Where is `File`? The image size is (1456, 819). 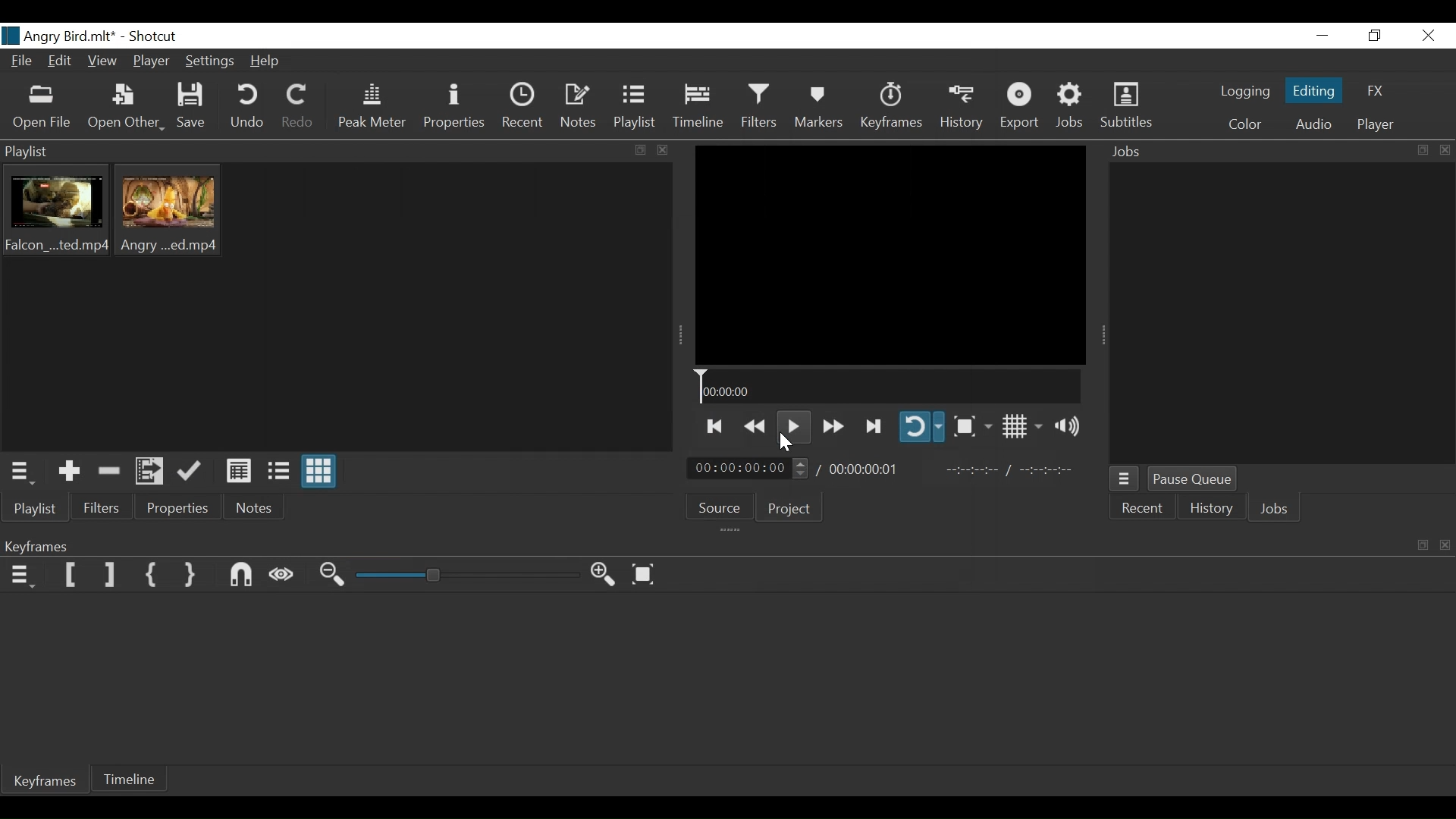
File is located at coordinates (21, 62).